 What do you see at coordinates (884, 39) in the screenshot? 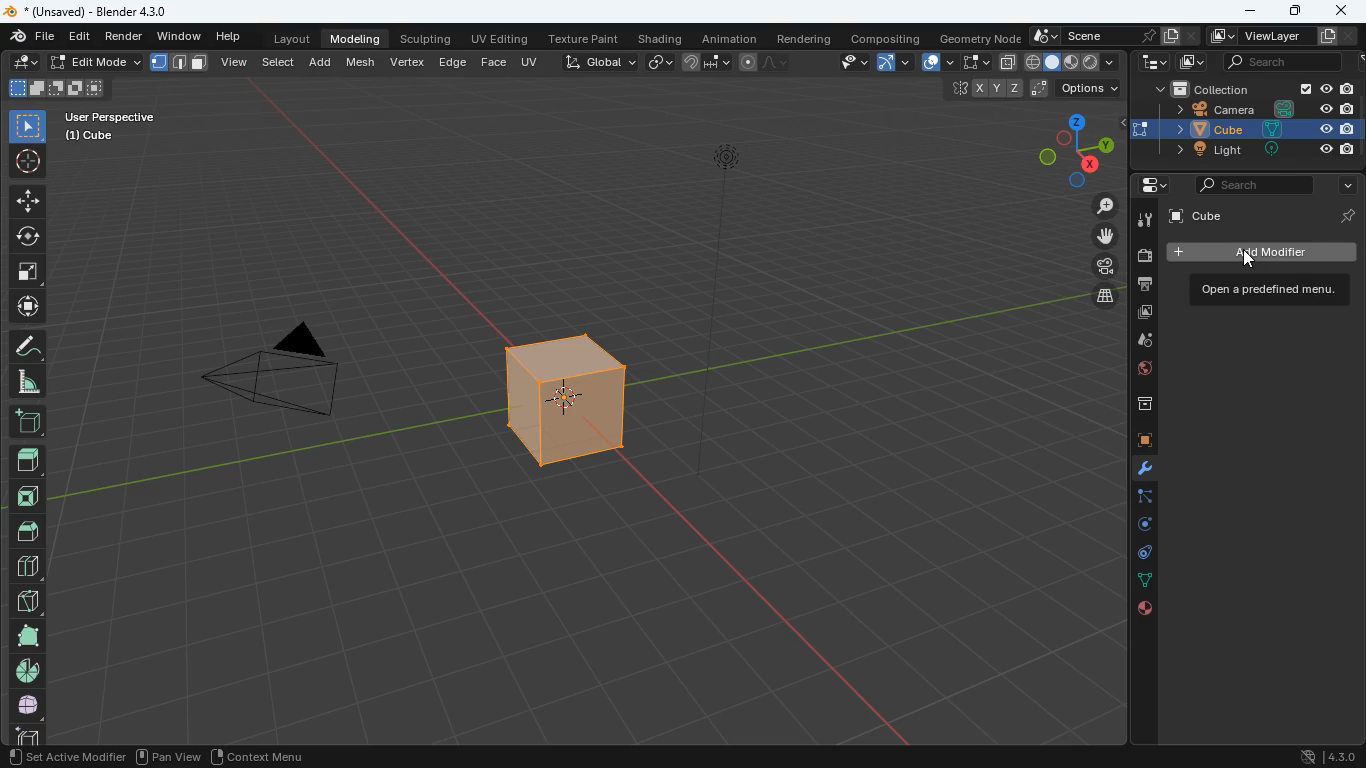
I see `compositing` at bounding box center [884, 39].